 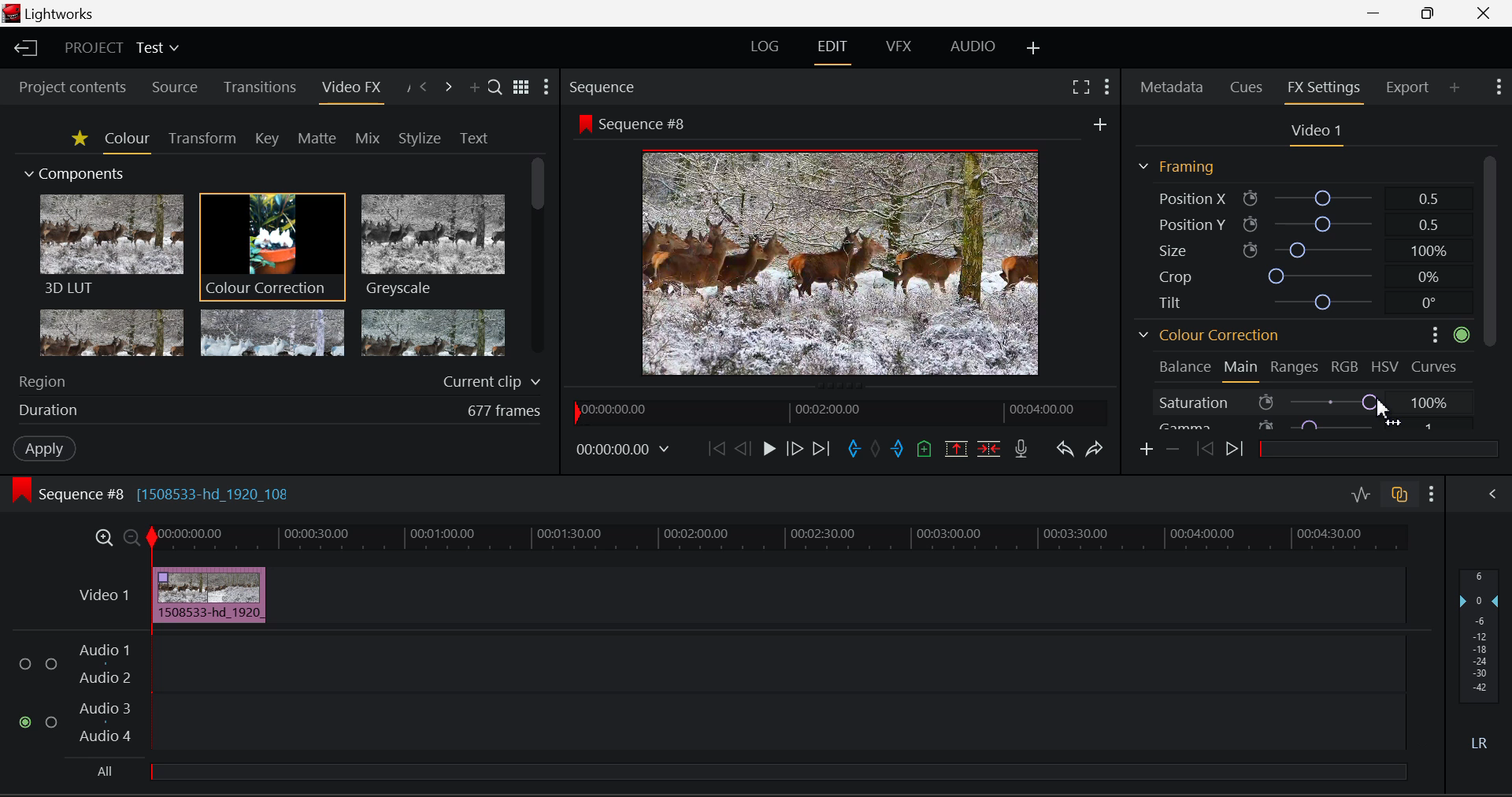 I want to click on Audio Input Checkbox, so click(x=51, y=662).